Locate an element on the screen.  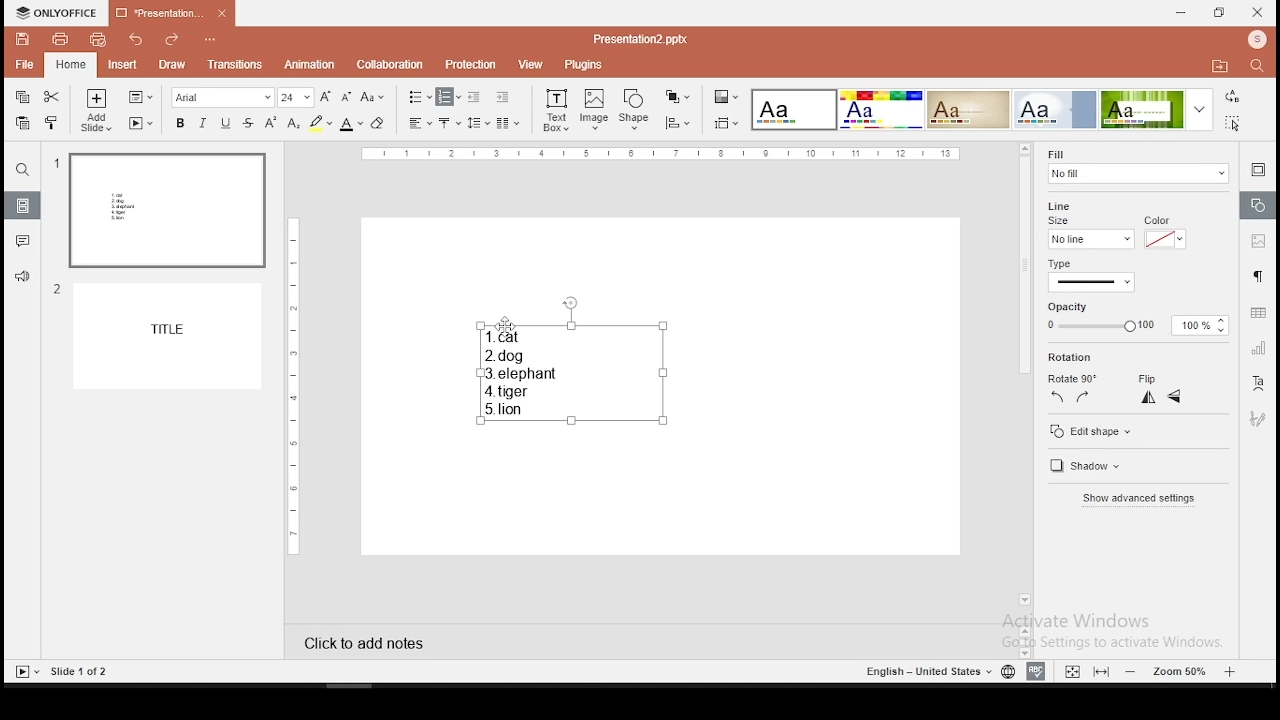
theme is located at coordinates (1157, 109).